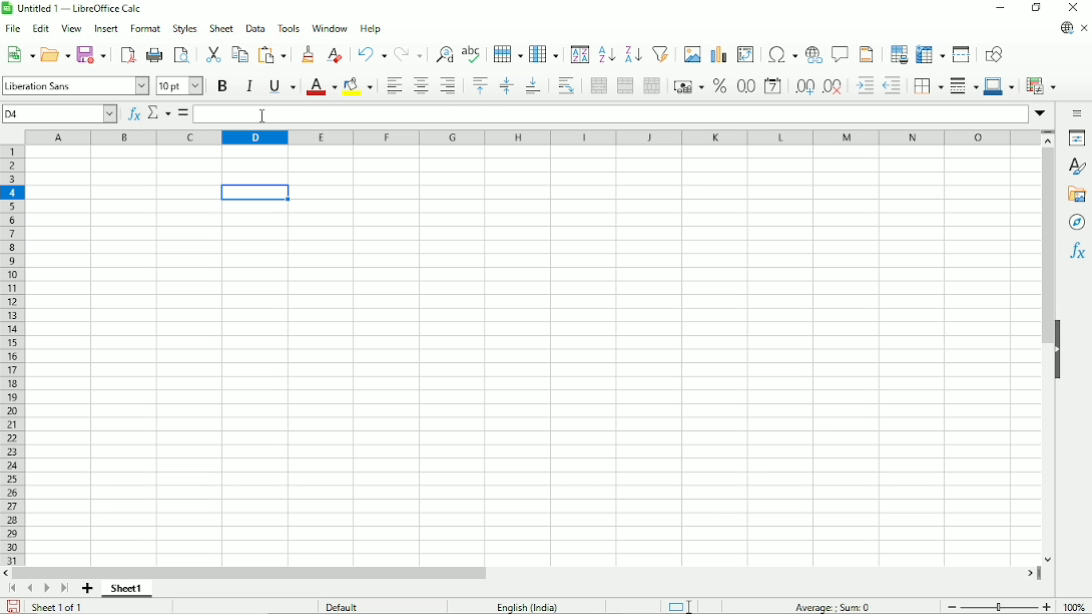  I want to click on Paste, so click(272, 54).